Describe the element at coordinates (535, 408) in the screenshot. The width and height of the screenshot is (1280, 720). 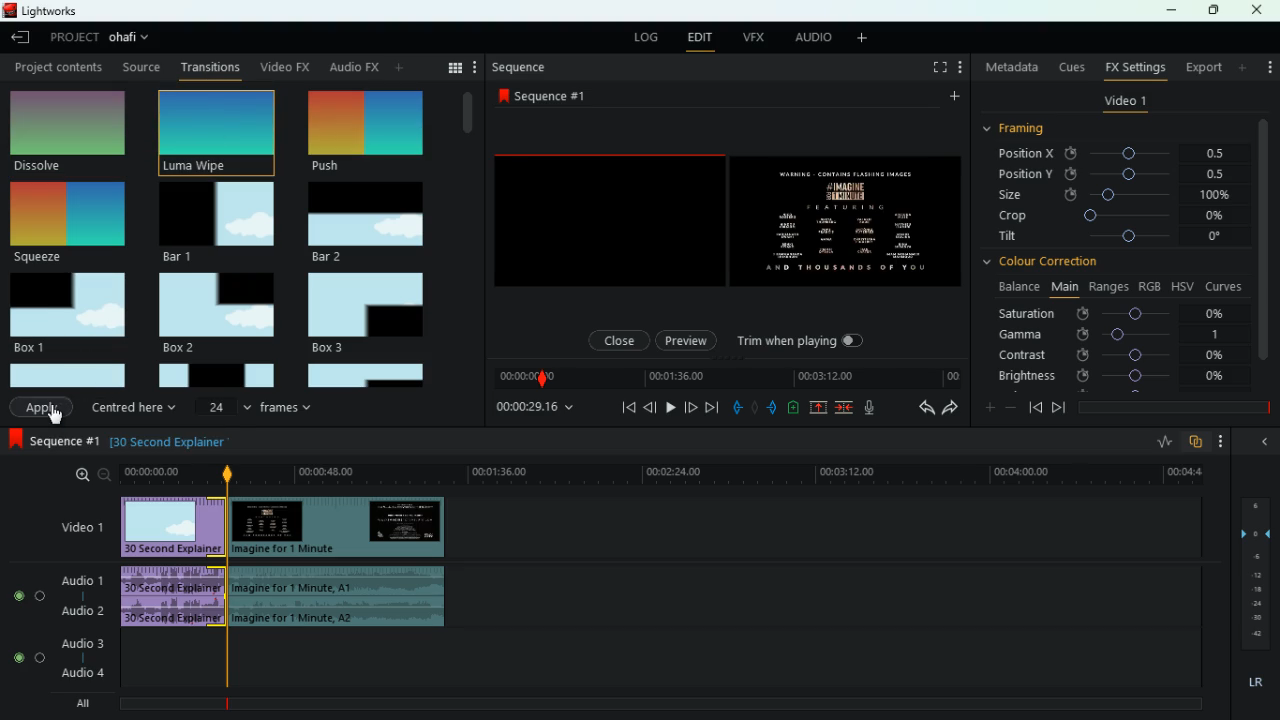
I see `time` at that location.